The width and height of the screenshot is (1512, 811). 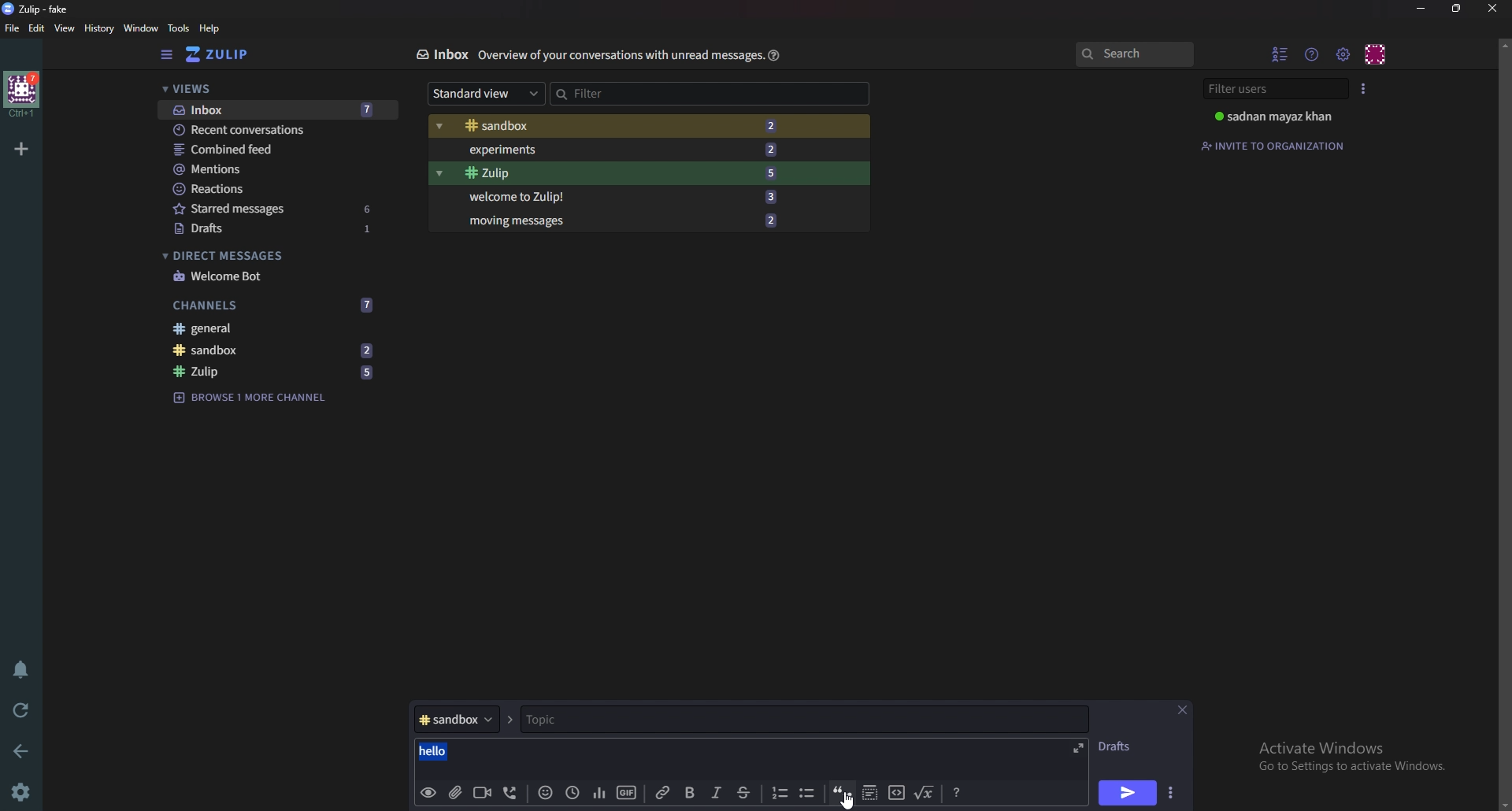 What do you see at coordinates (371, 207) in the screenshot?
I see `6` at bounding box center [371, 207].